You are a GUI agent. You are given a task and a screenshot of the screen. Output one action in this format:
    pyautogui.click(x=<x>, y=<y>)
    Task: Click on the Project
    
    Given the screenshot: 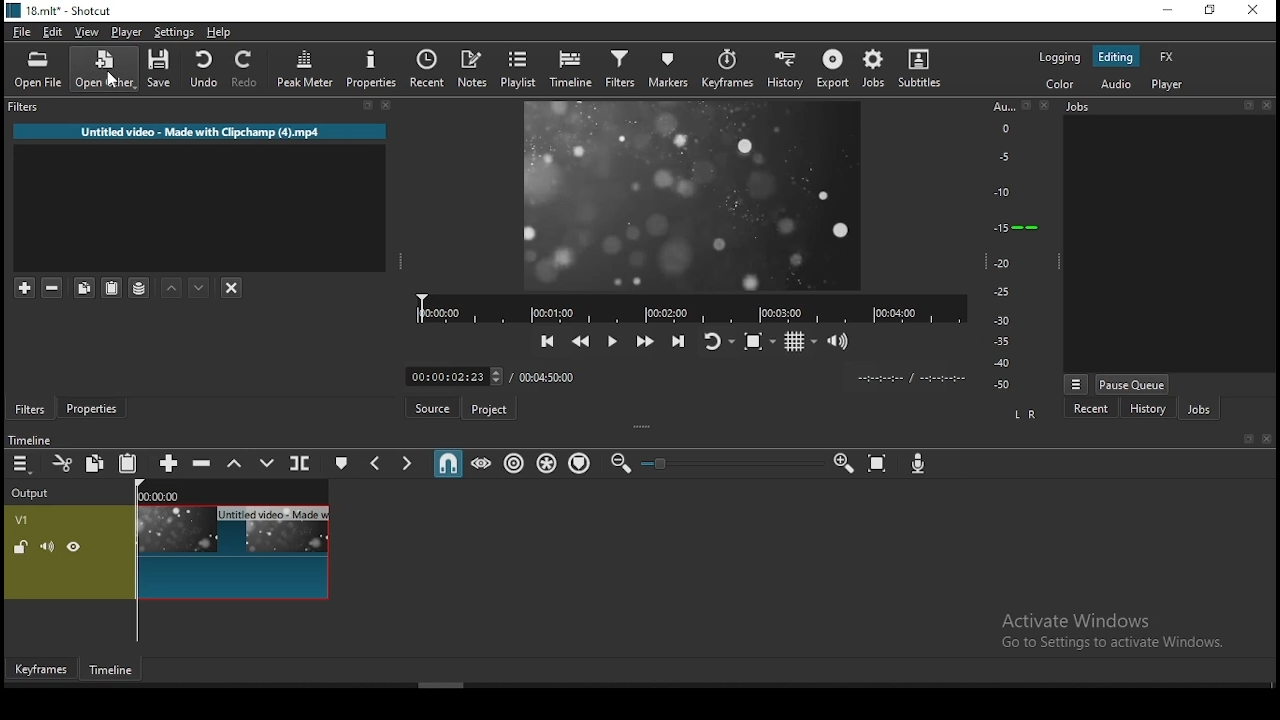 What is the action you would take?
    pyautogui.click(x=488, y=406)
    